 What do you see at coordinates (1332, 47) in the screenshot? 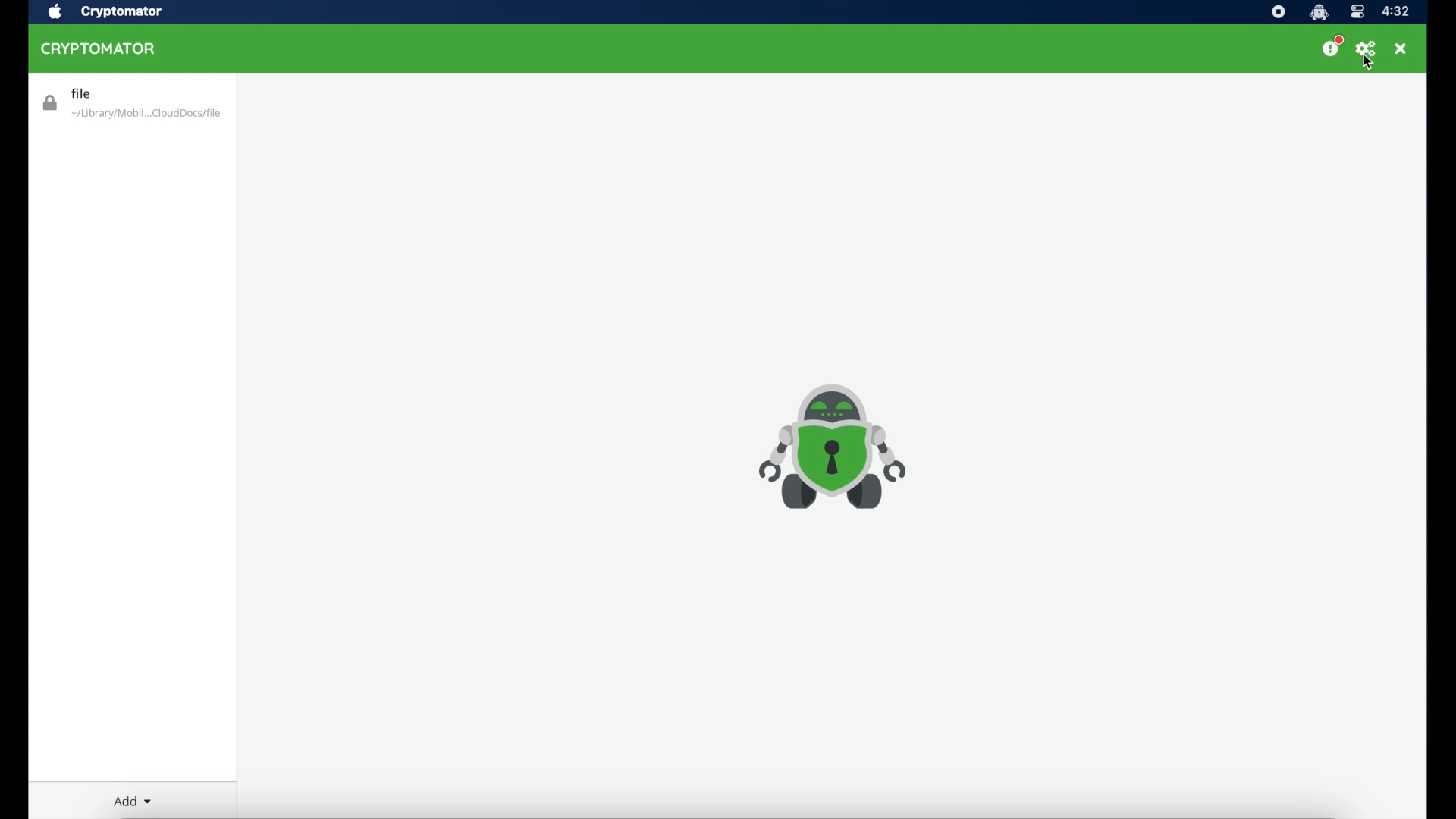
I see `donate` at bounding box center [1332, 47].